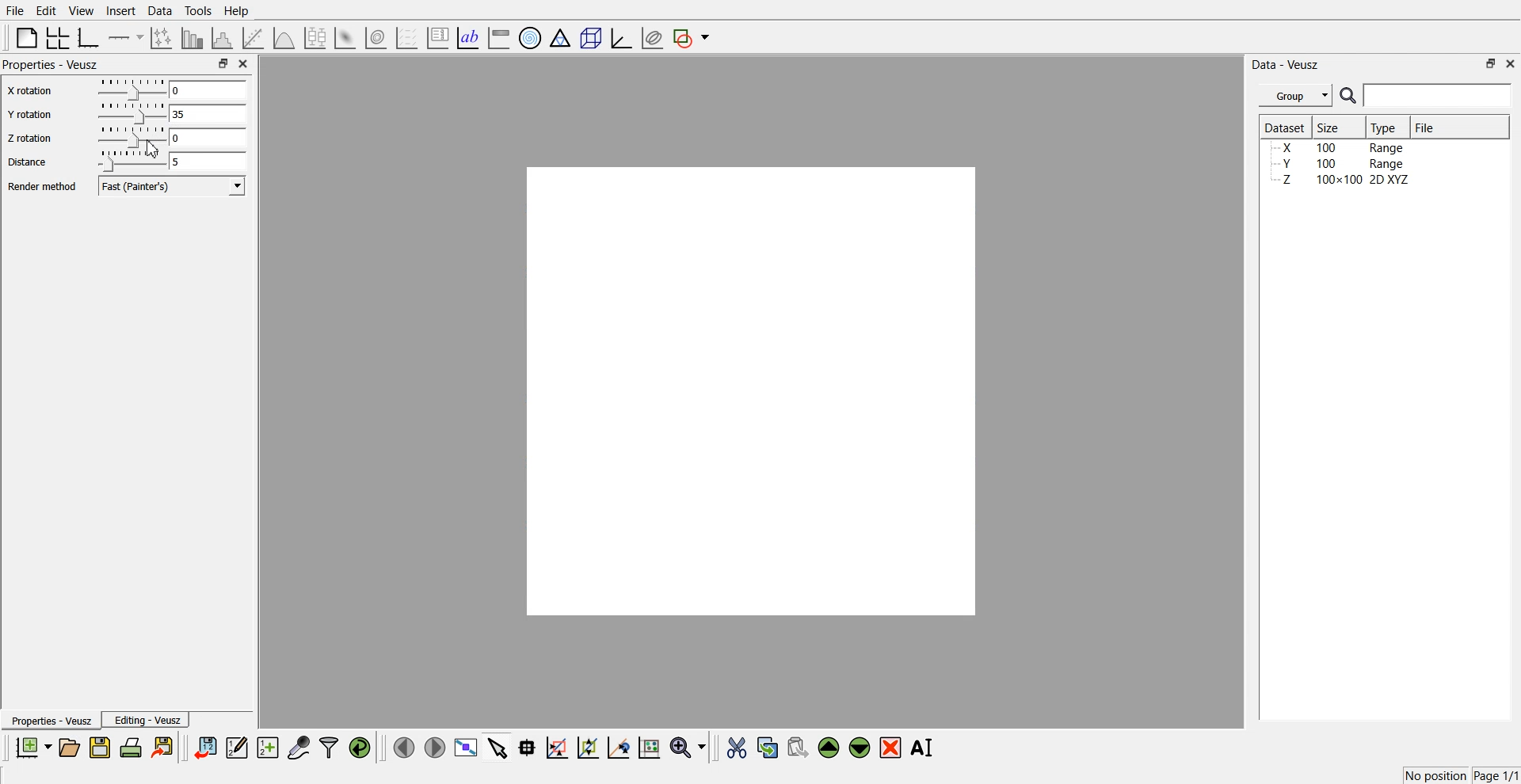 This screenshot has height=784, width=1521. What do you see at coordinates (588, 747) in the screenshot?
I see `Zoom out of the graph axes` at bounding box center [588, 747].